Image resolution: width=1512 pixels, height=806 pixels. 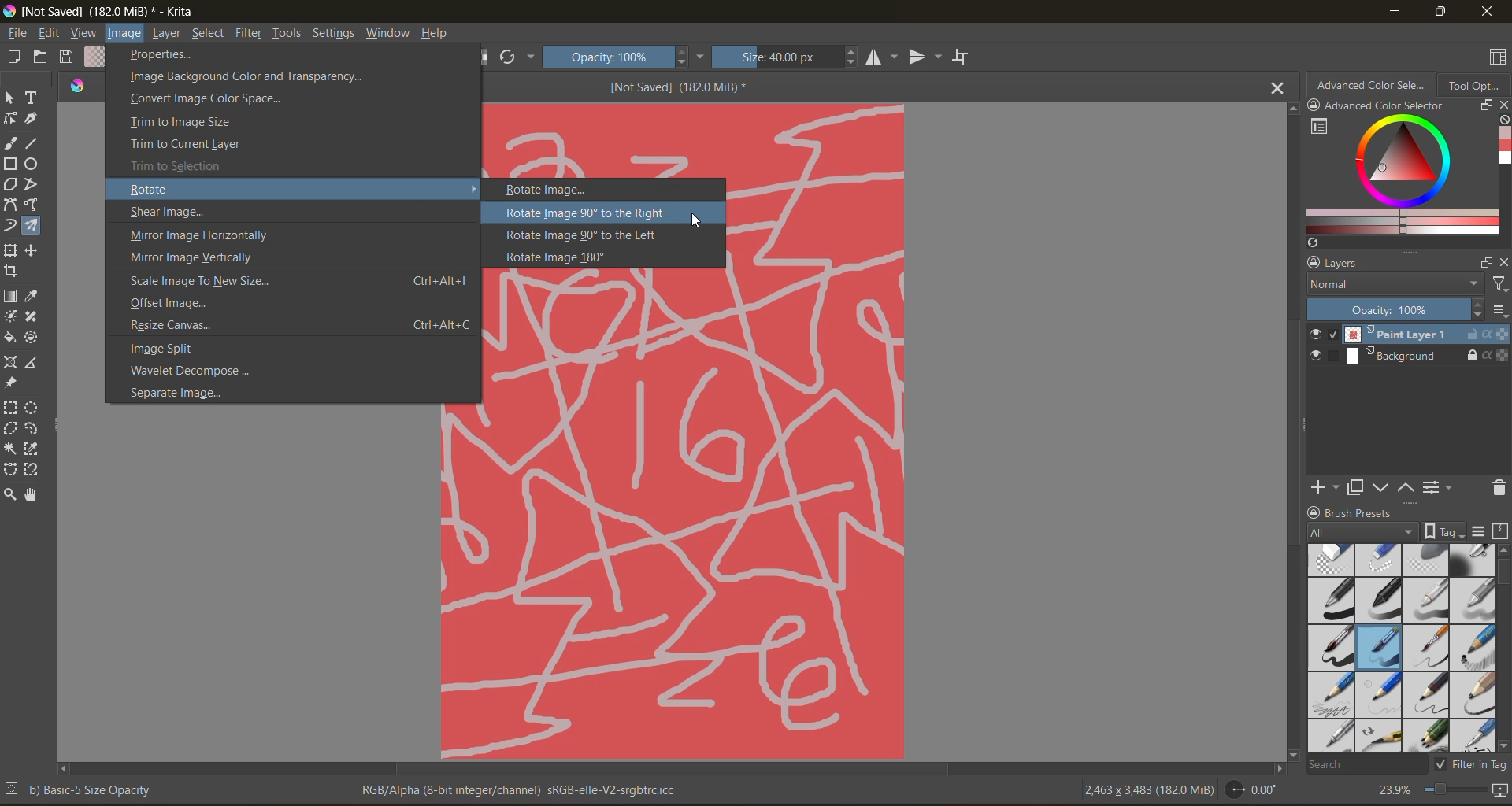 I want to click on layer, so click(x=168, y=35).